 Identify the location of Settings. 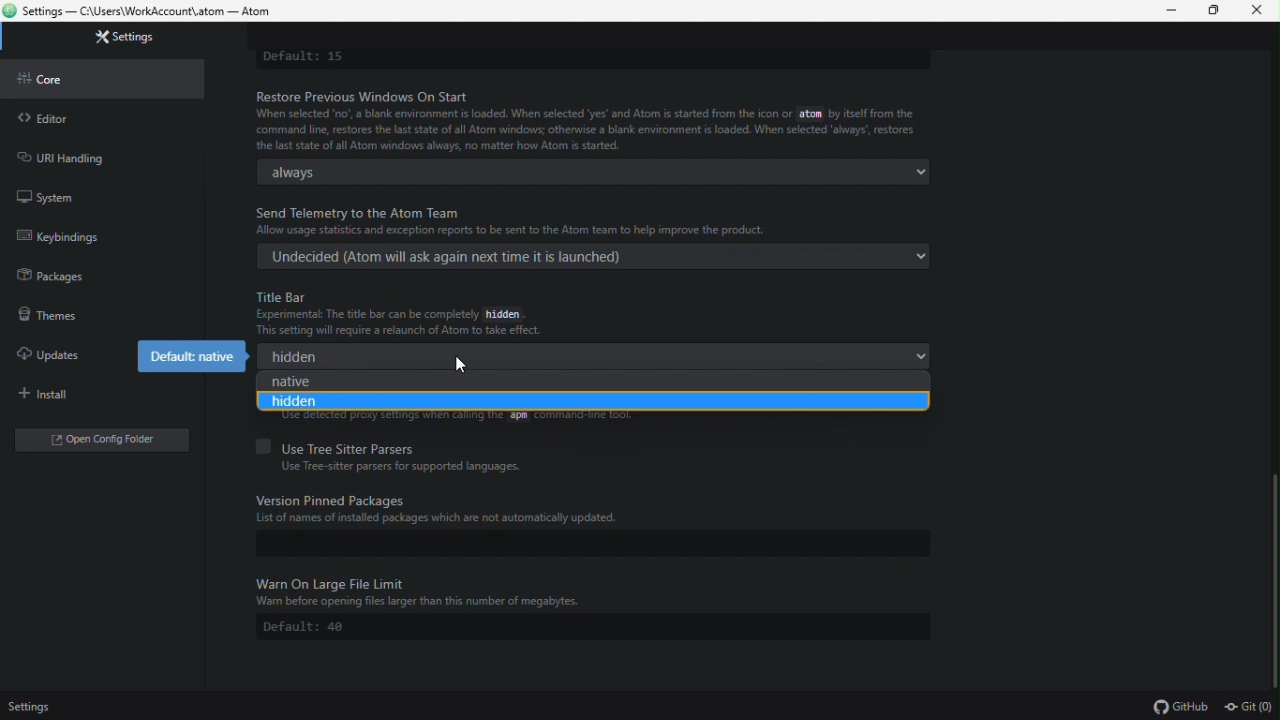
(120, 38).